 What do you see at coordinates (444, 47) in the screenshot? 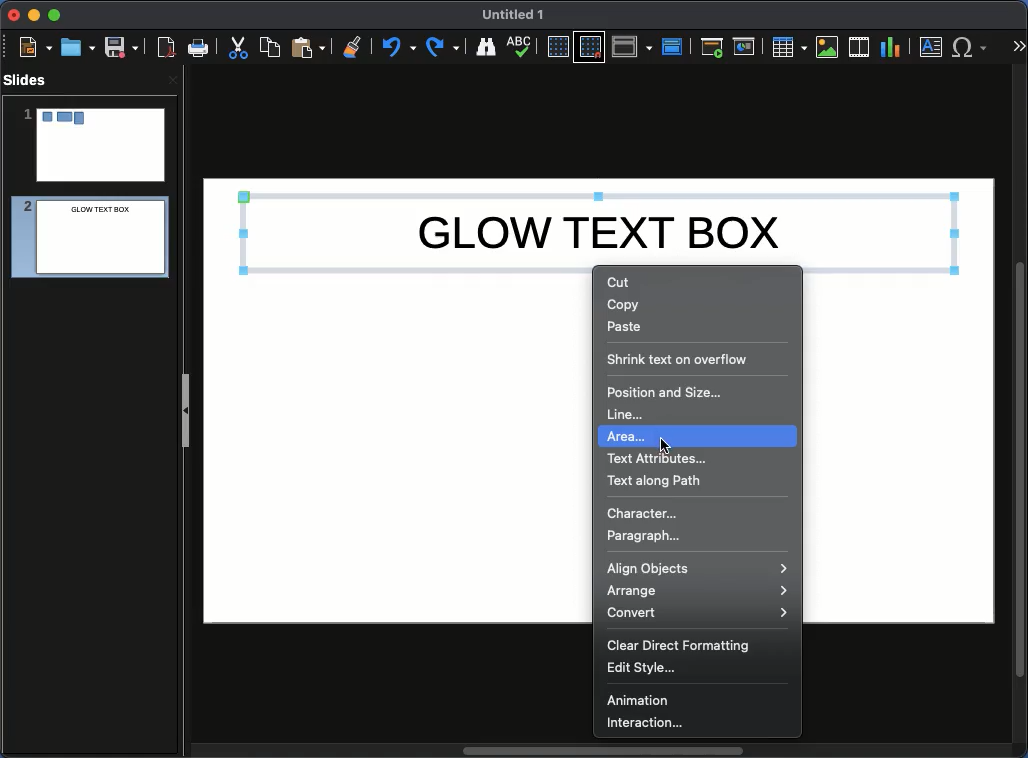
I see `Redo` at bounding box center [444, 47].